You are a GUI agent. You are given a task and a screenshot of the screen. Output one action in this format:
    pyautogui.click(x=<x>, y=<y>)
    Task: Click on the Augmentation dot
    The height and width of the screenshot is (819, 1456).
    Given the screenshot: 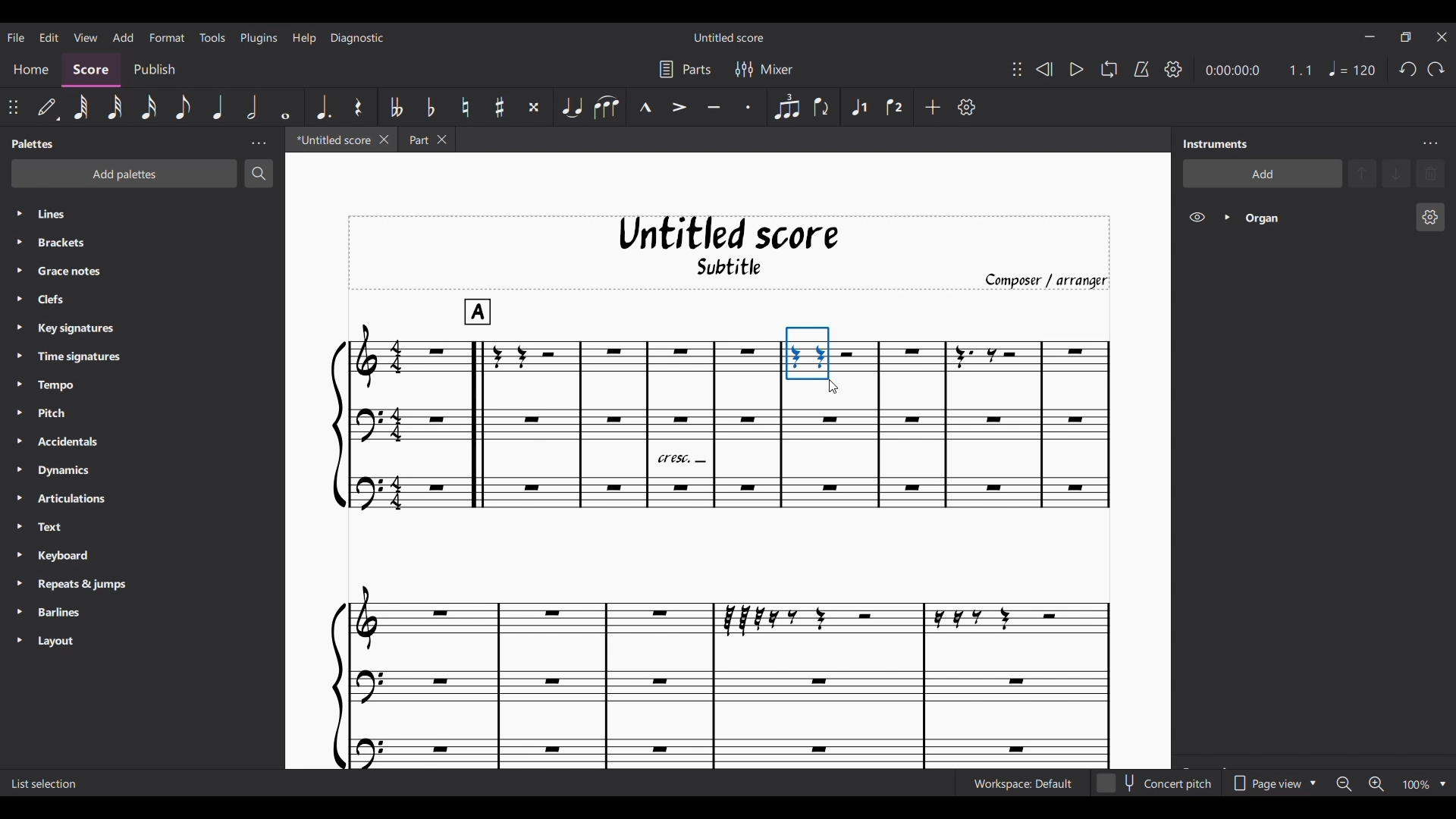 What is the action you would take?
    pyautogui.click(x=323, y=106)
    